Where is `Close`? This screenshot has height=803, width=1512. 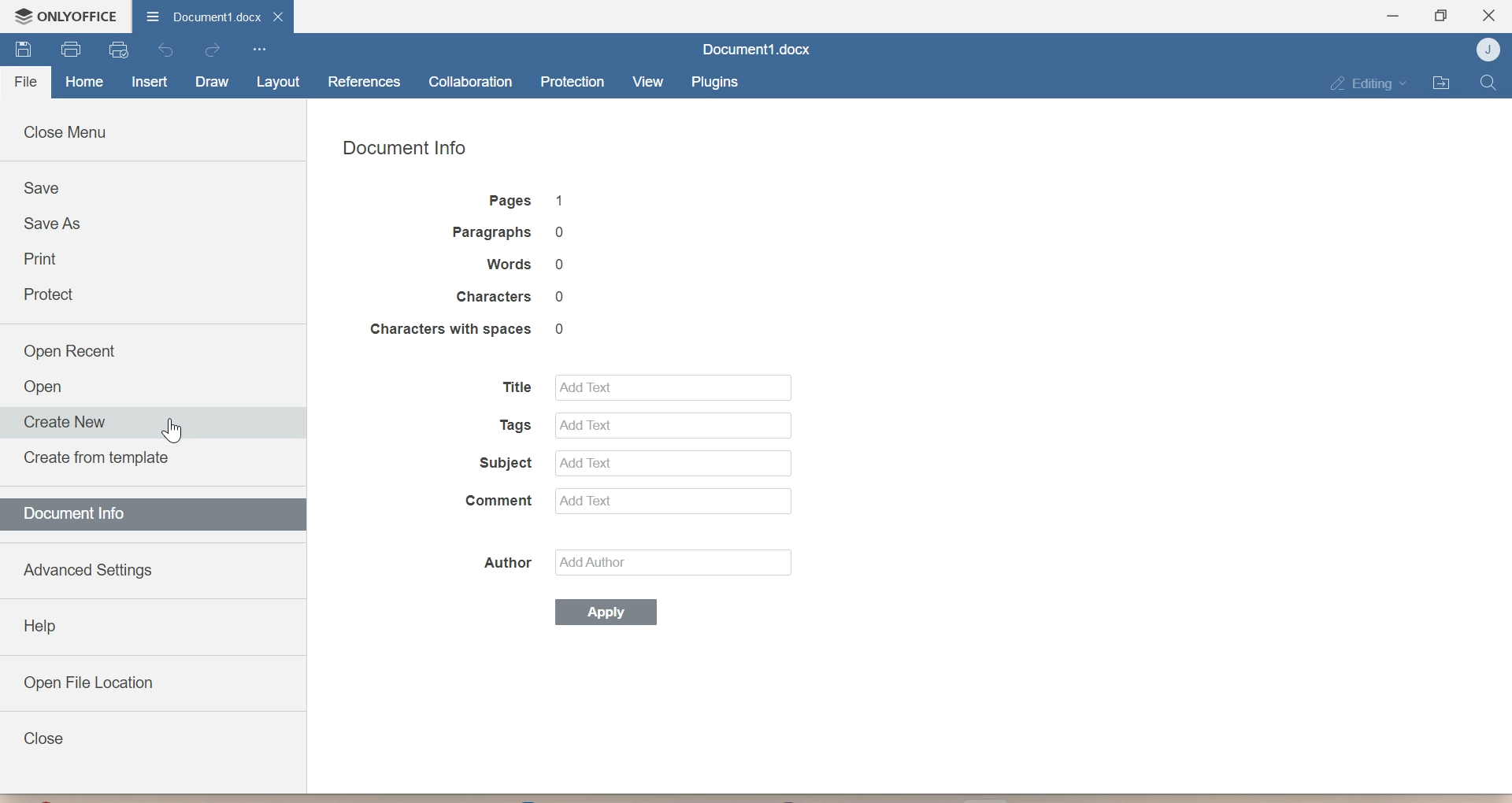 Close is located at coordinates (1488, 13).